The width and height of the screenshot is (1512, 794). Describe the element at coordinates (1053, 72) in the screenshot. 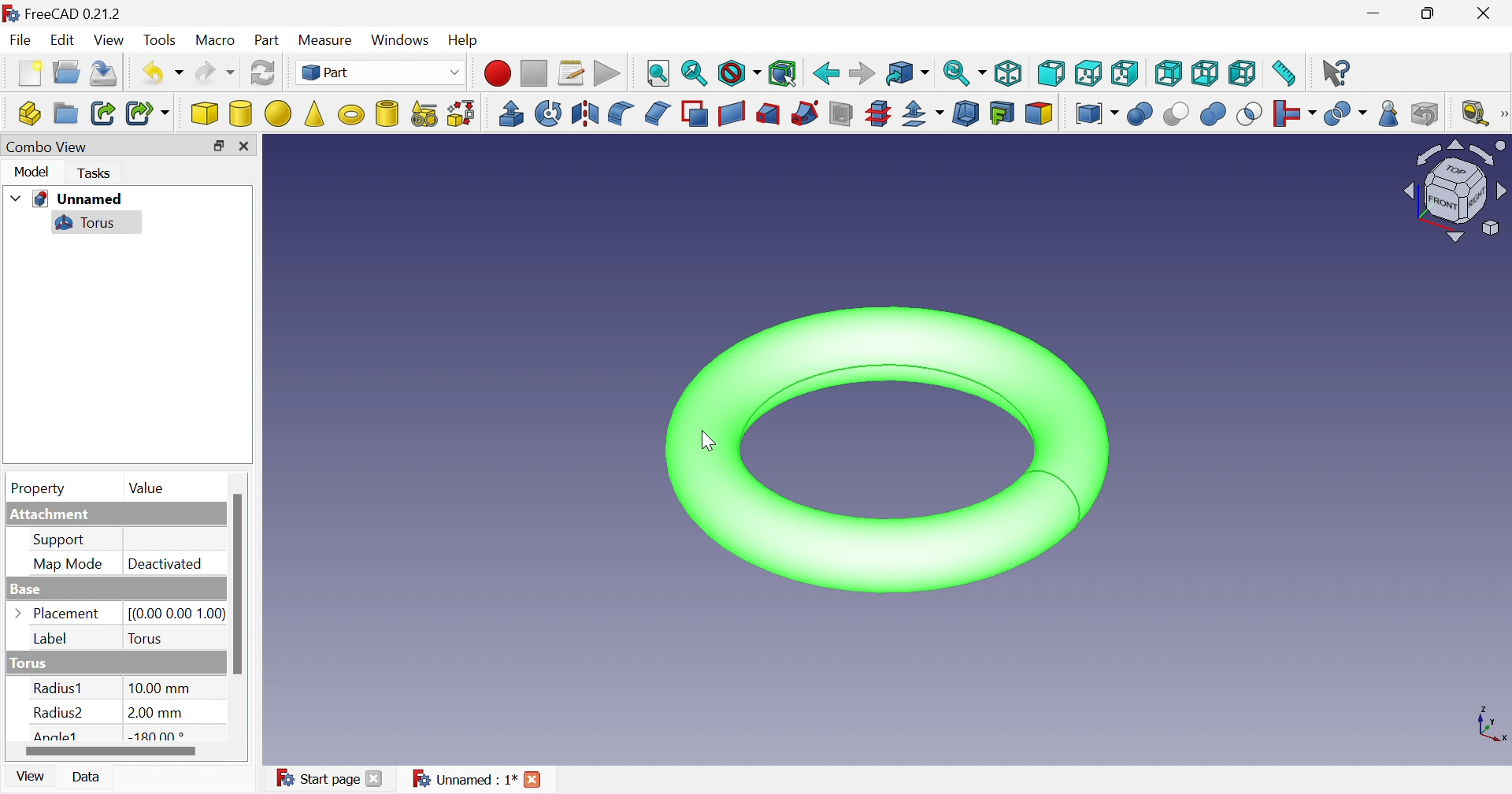

I see `Front` at that location.